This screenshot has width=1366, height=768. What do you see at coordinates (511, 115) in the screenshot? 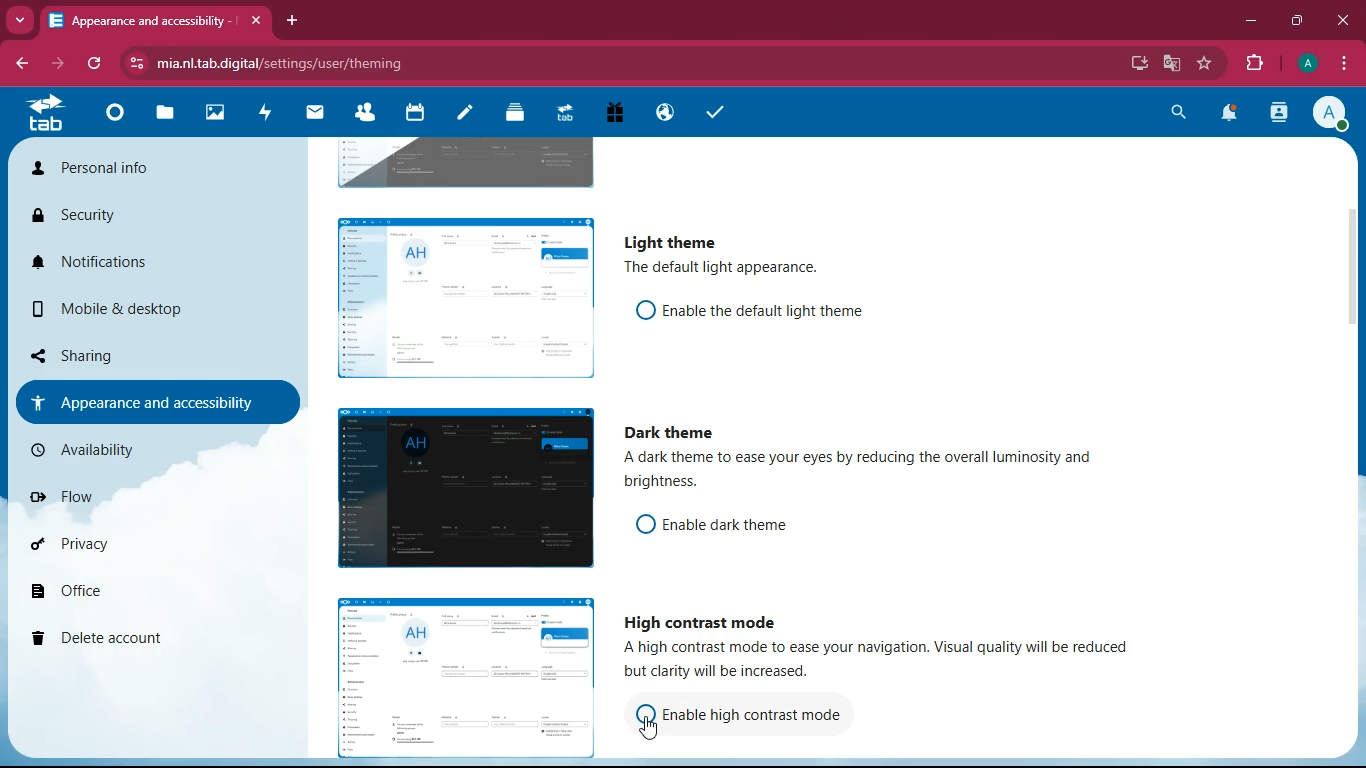
I see `layers` at bounding box center [511, 115].